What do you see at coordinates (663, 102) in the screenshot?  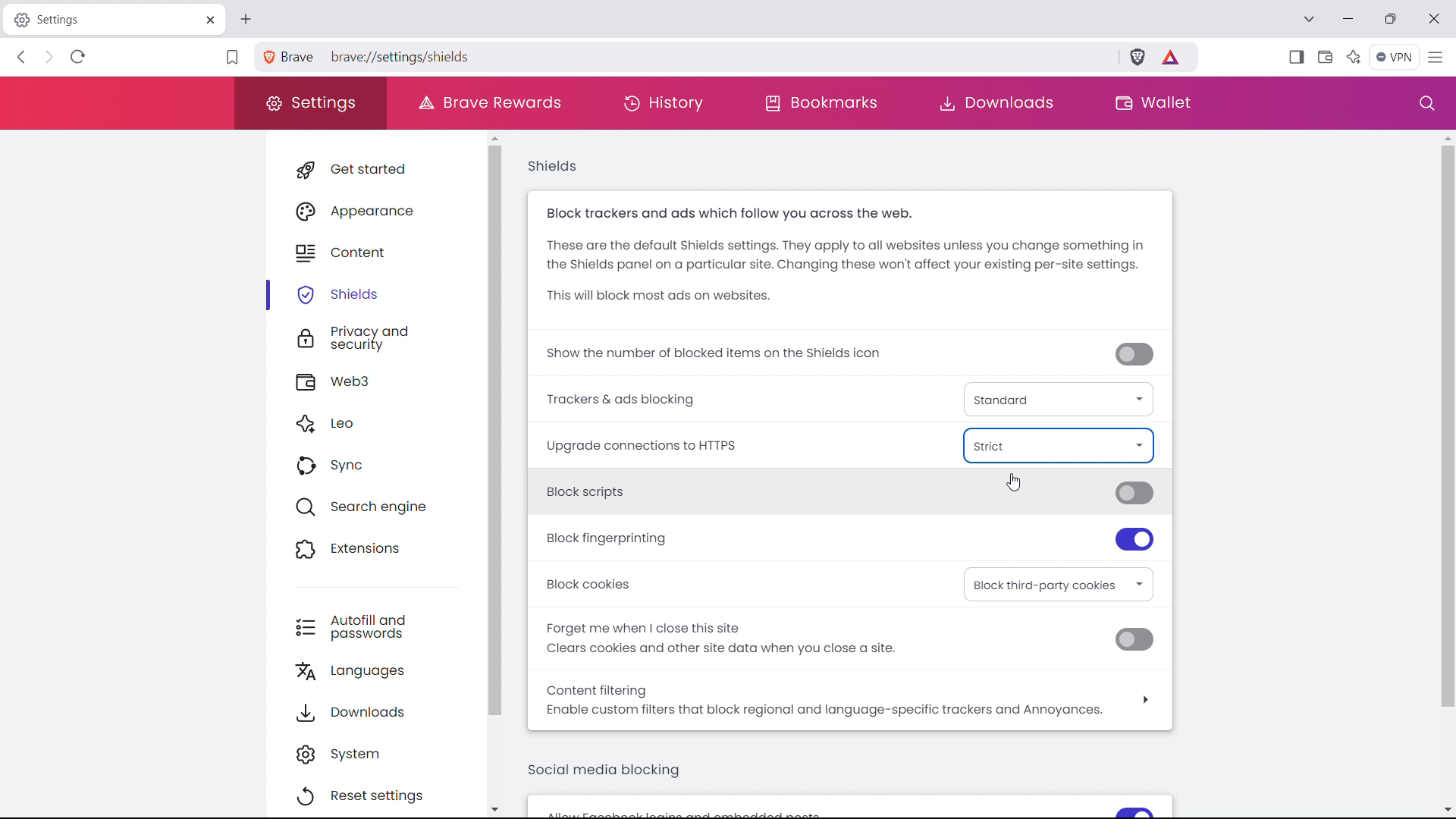 I see `history` at bounding box center [663, 102].